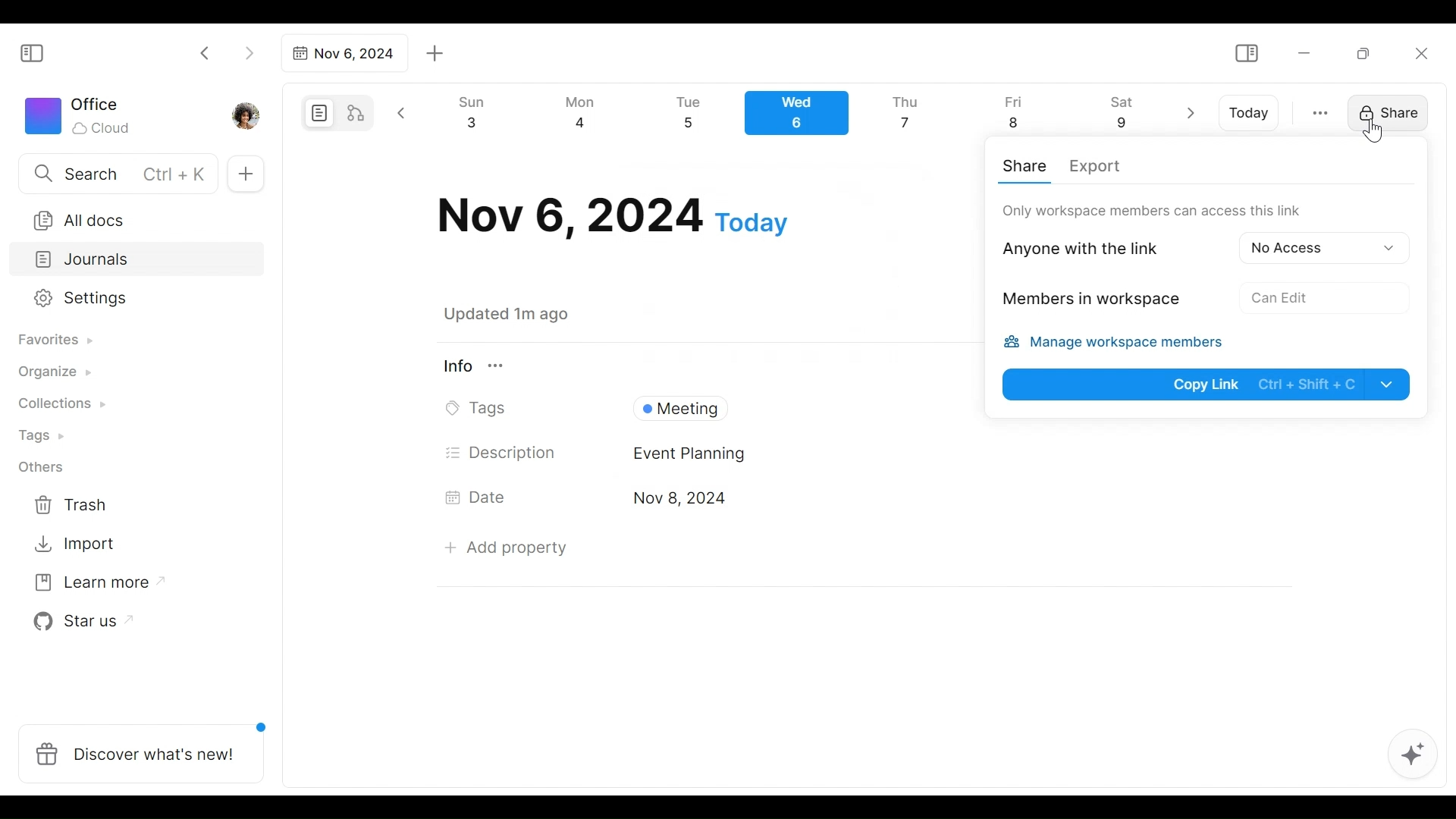 The height and width of the screenshot is (819, 1456). Describe the element at coordinates (60, 406) in the screenshot. I see `Collections` at that location.